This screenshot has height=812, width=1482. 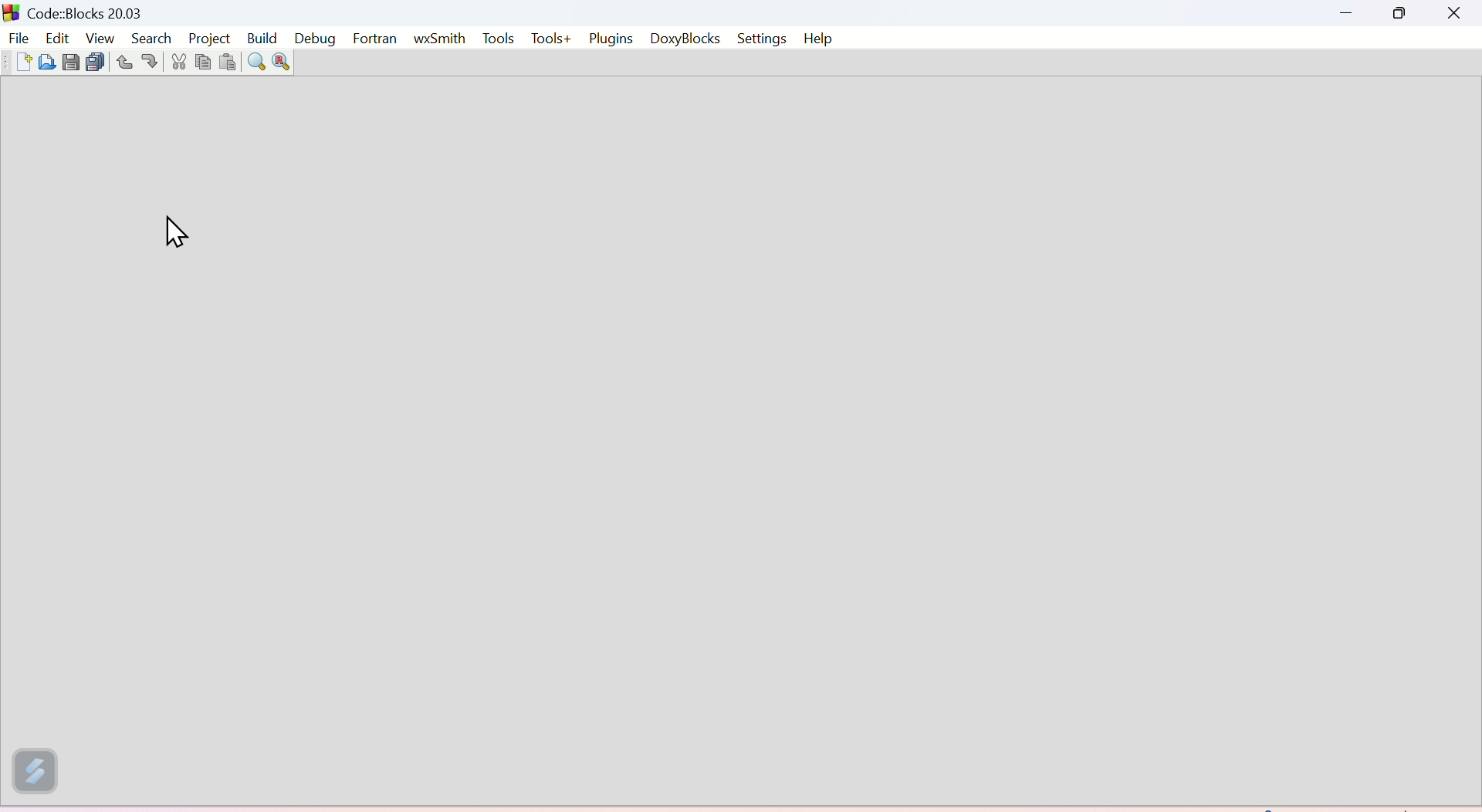 What do you see at coordinates (21, 63) in the screenshot?
I see `` at bounding box center [21, 63].